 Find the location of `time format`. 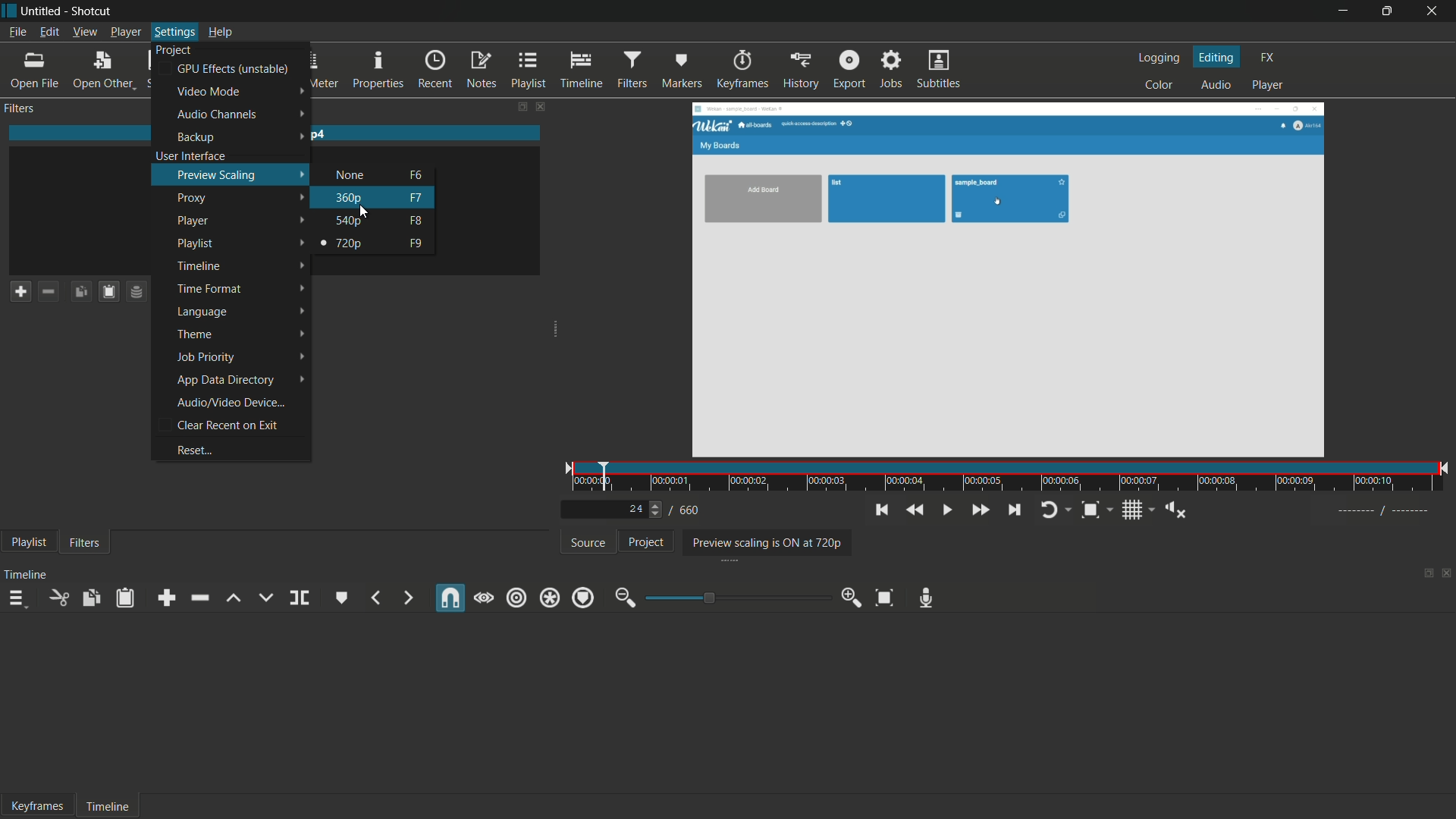

time format is located at coordinates (209, 289).